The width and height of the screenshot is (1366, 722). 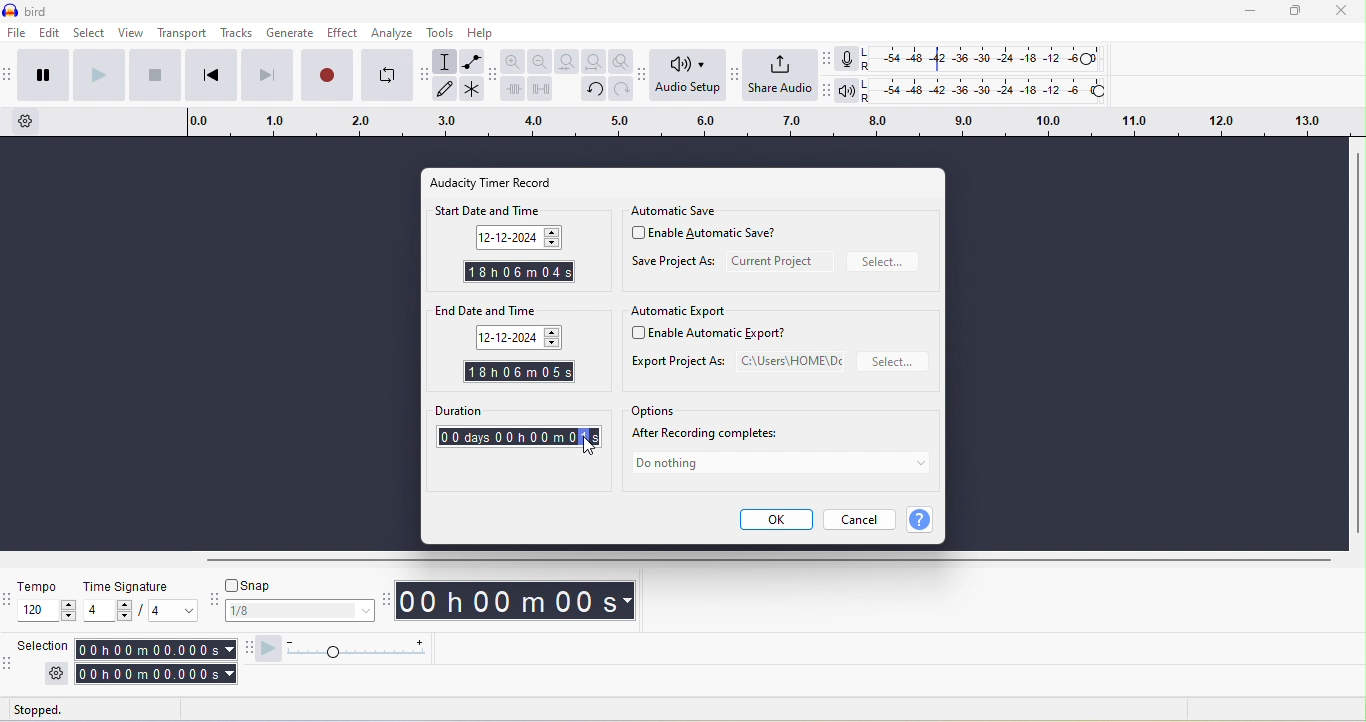 I want to click on draw tool, so click(x=448, y=92).